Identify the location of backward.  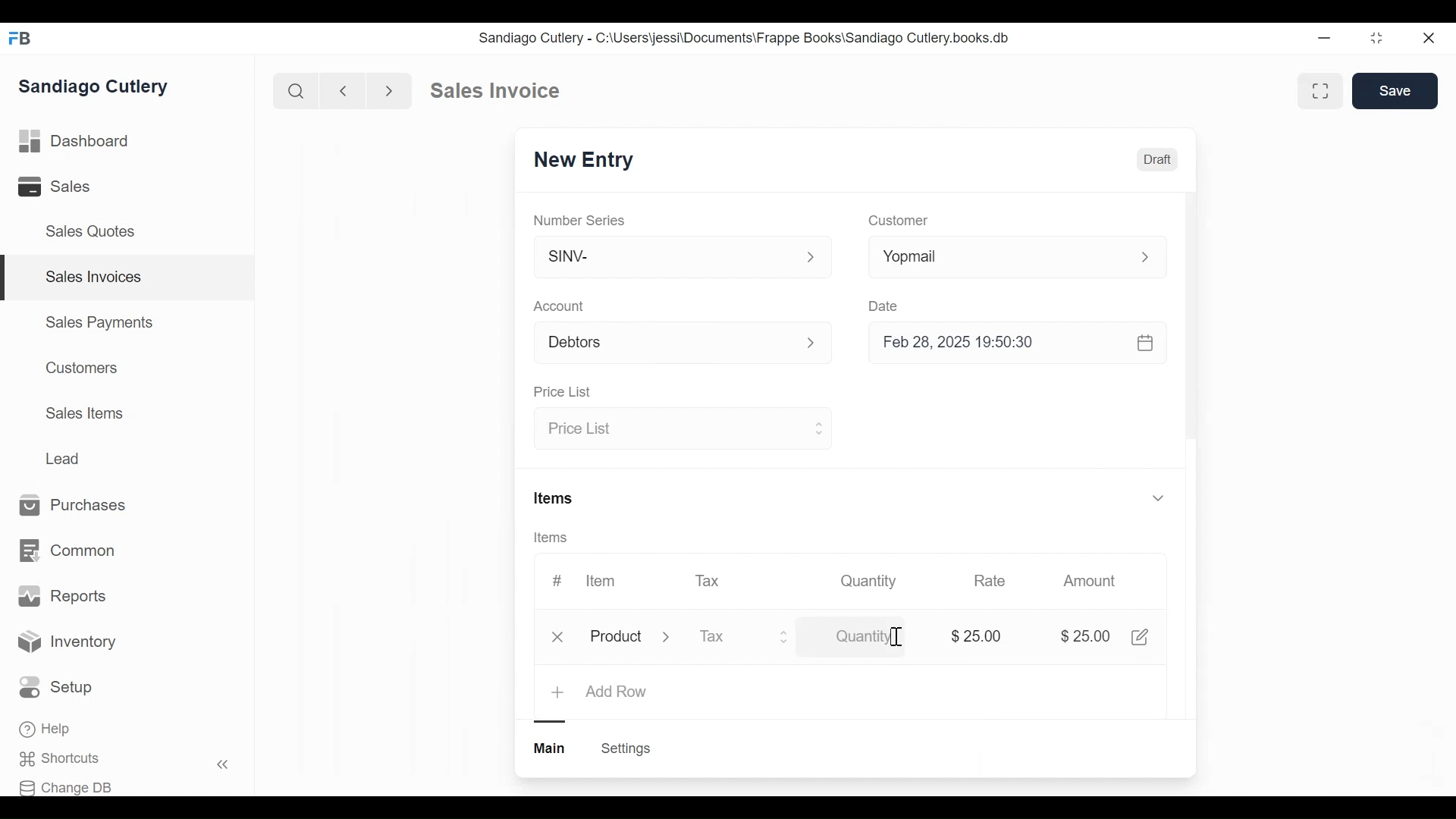
(344, 90).